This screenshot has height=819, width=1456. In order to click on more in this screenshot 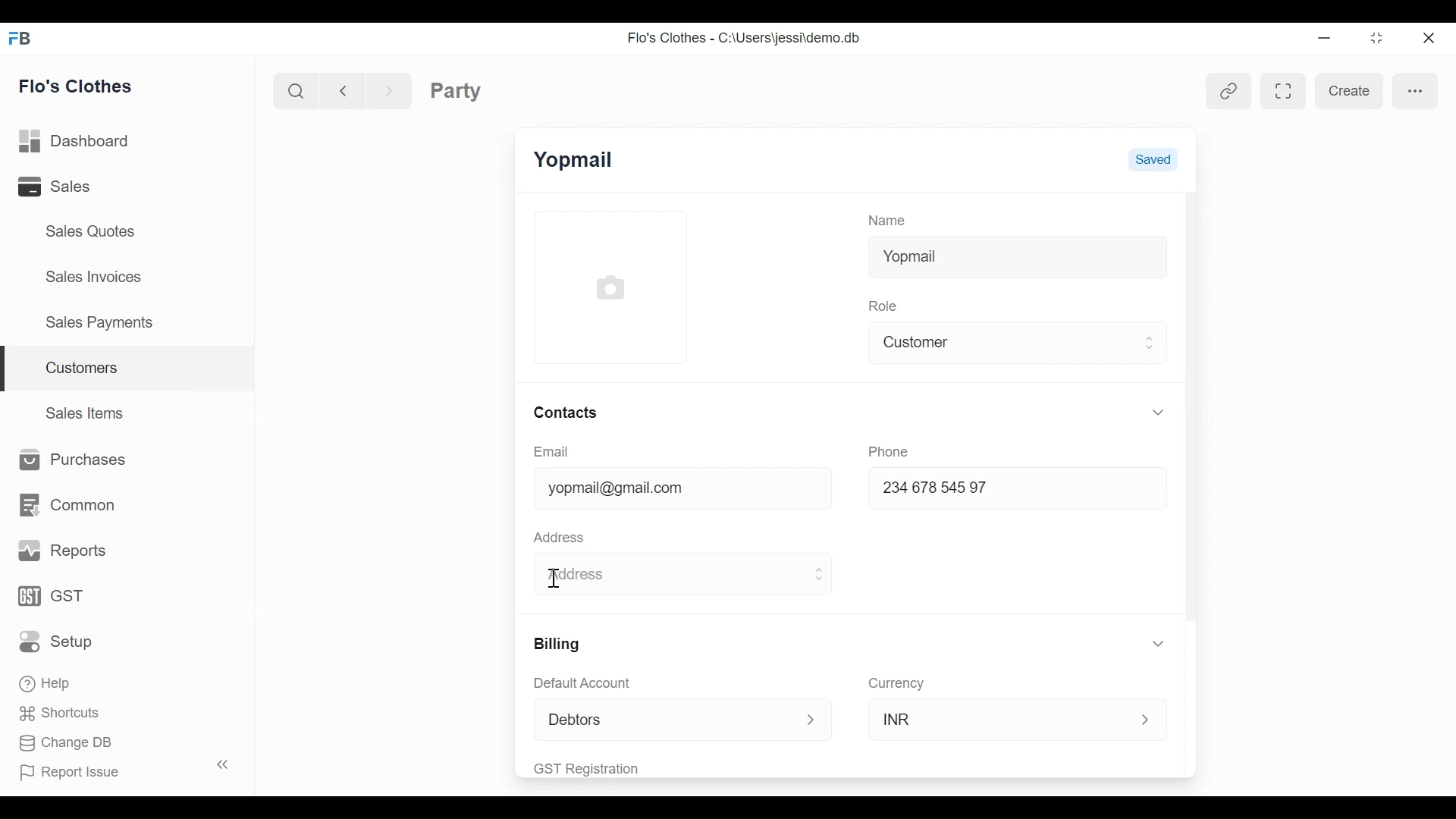, I will do `click(1415, 91)`.